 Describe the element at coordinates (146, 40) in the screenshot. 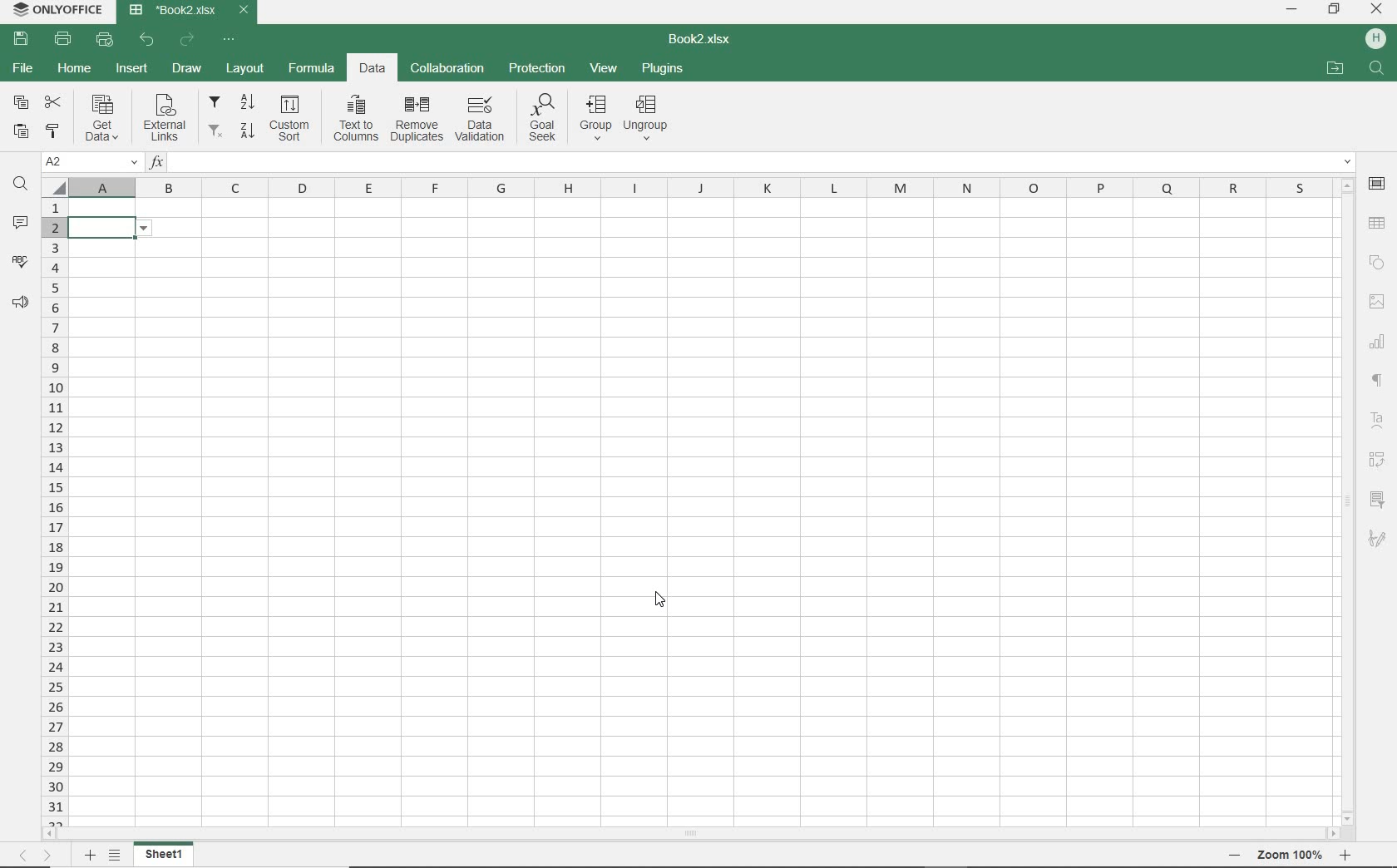

I see `UNDO` at that location.